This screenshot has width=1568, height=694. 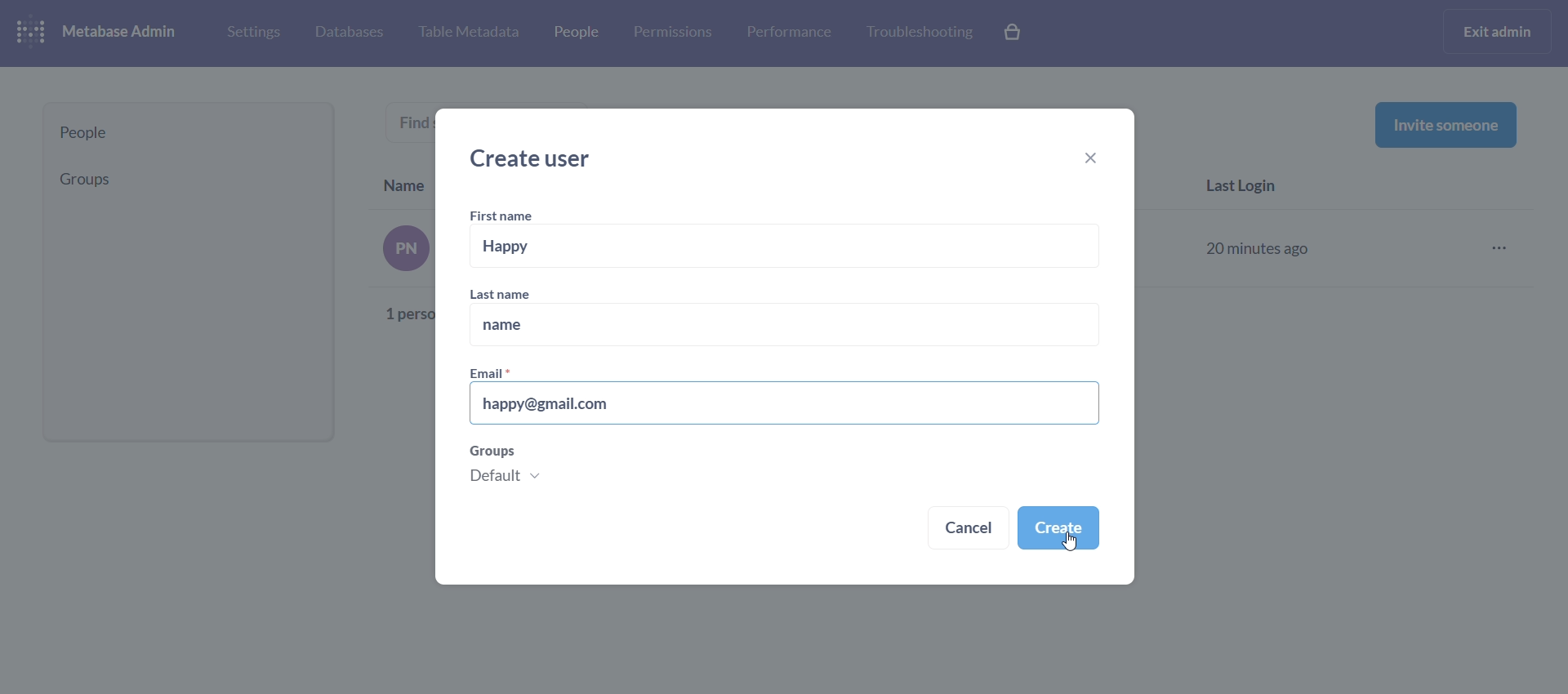 What do you see at coordinates (468, 33) in the screenshot?
I see `table metabase` at bounding box center [468, 33].